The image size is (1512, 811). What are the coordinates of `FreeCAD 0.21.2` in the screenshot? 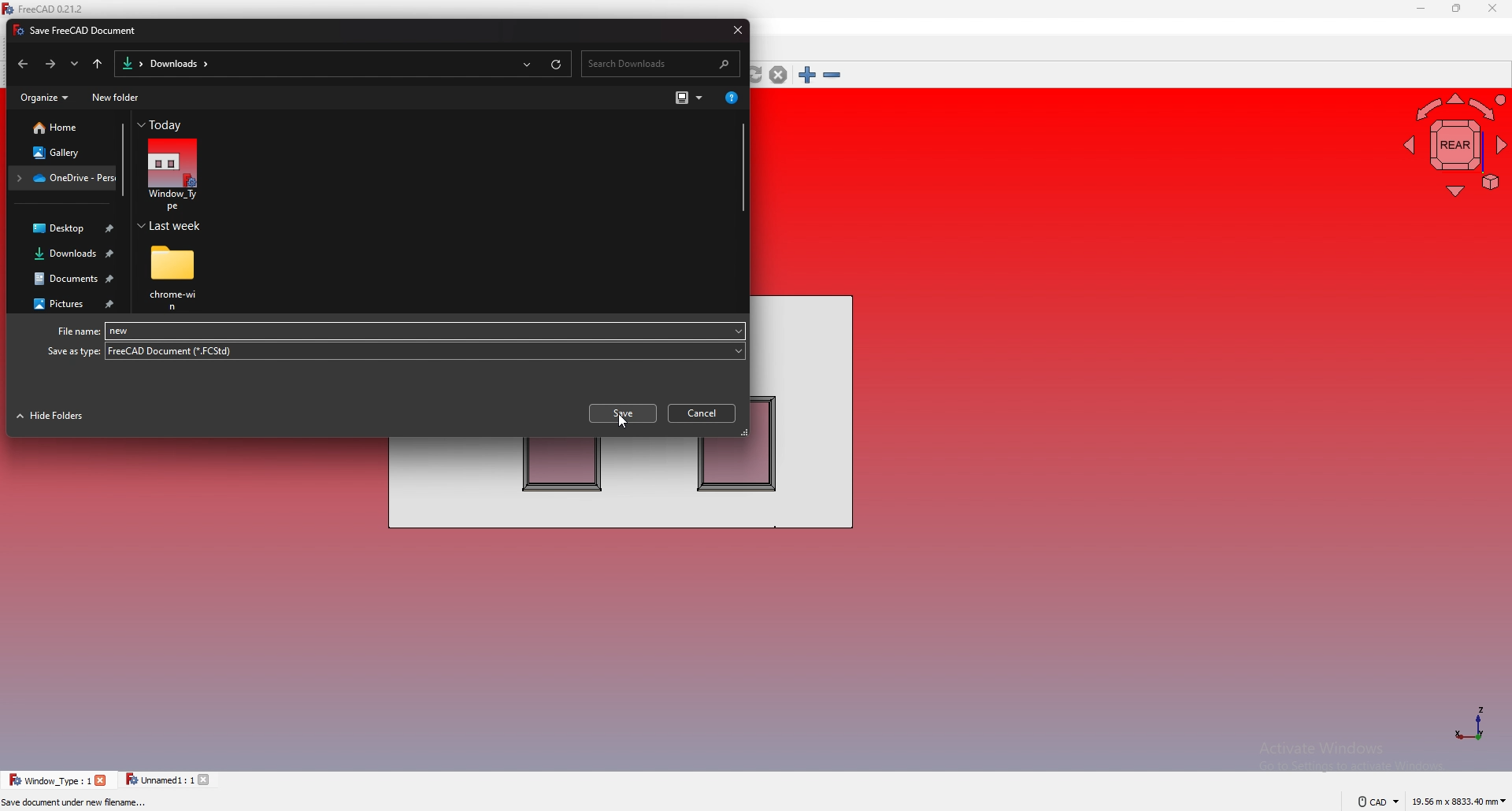 It's located at (46, 9).